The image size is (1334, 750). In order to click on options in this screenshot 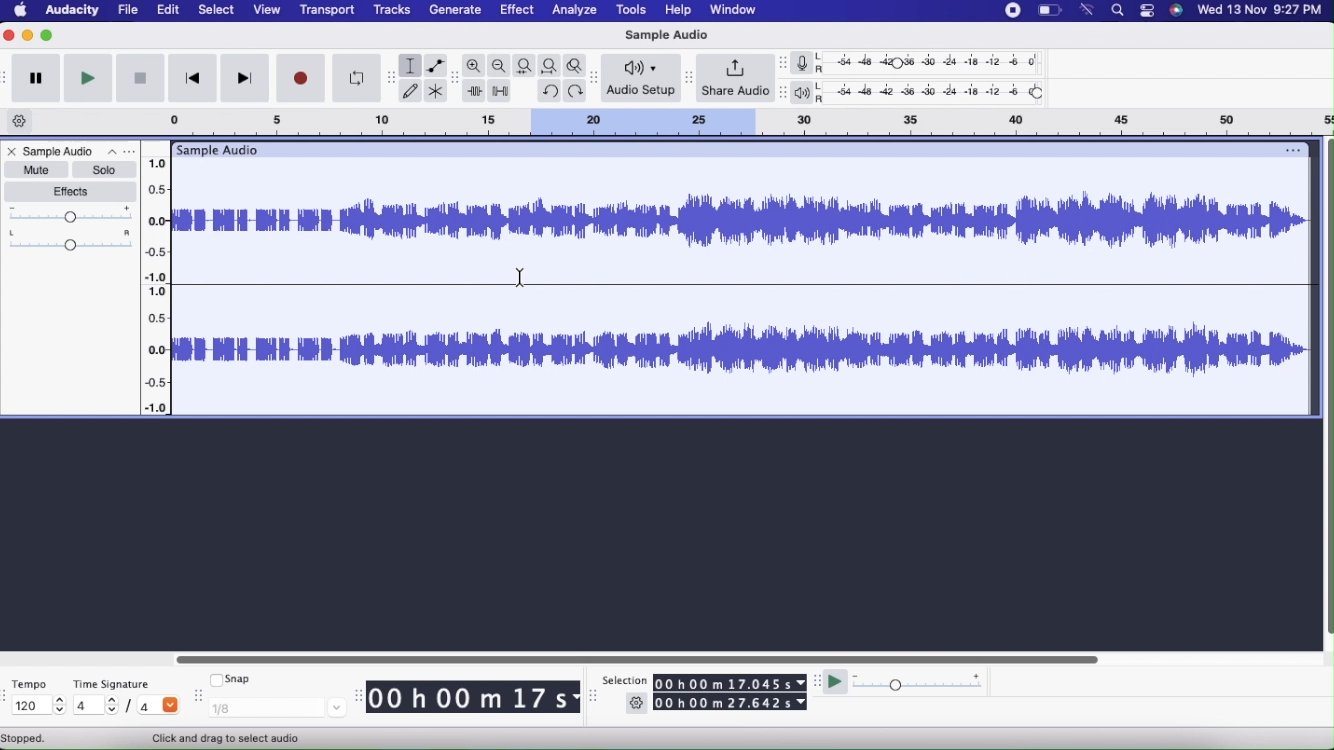, I will do `click(1289, 150)`.